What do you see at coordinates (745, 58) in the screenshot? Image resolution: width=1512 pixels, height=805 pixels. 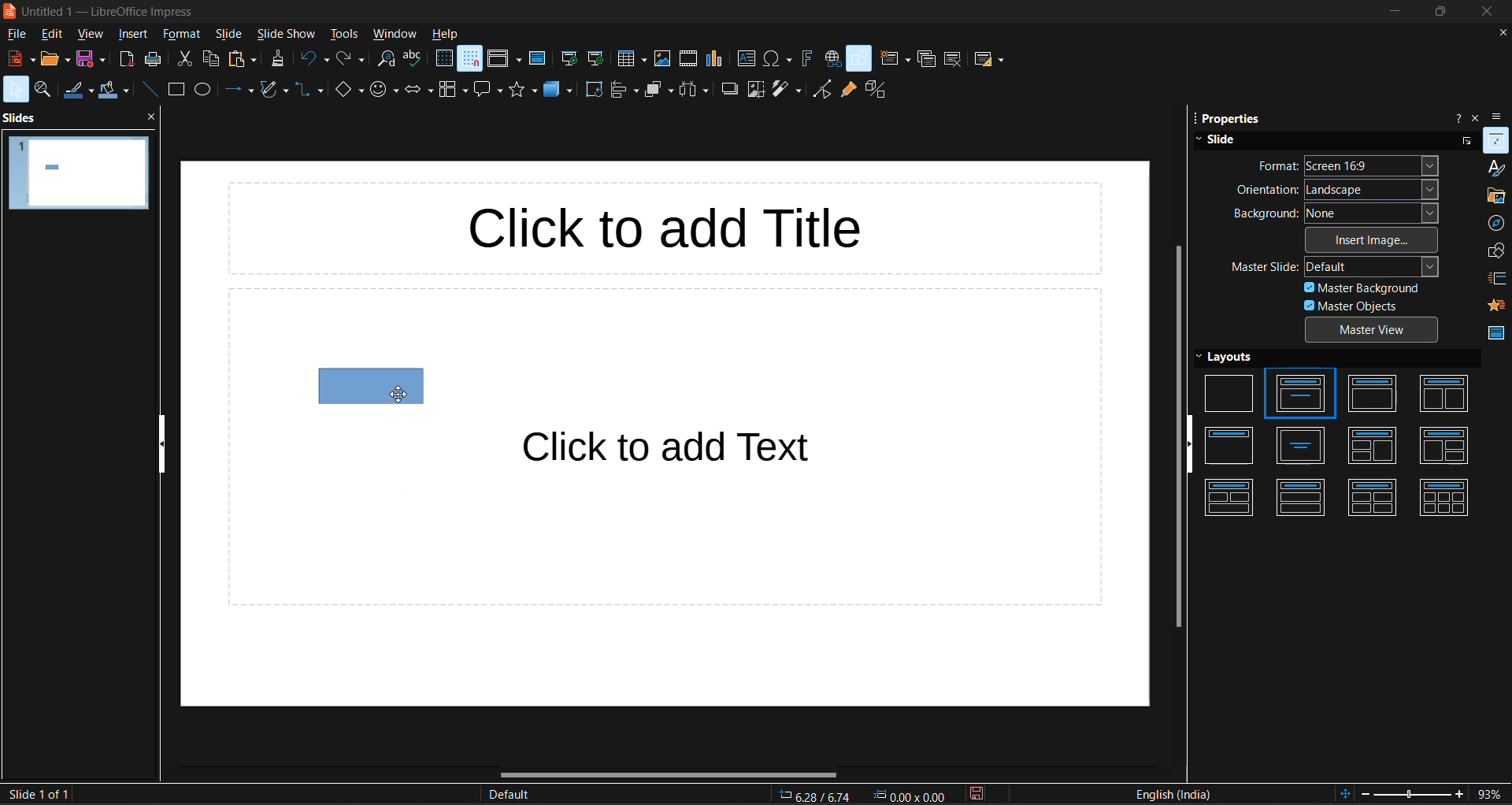 I see `insert text box` at bounding box center [745, 58].